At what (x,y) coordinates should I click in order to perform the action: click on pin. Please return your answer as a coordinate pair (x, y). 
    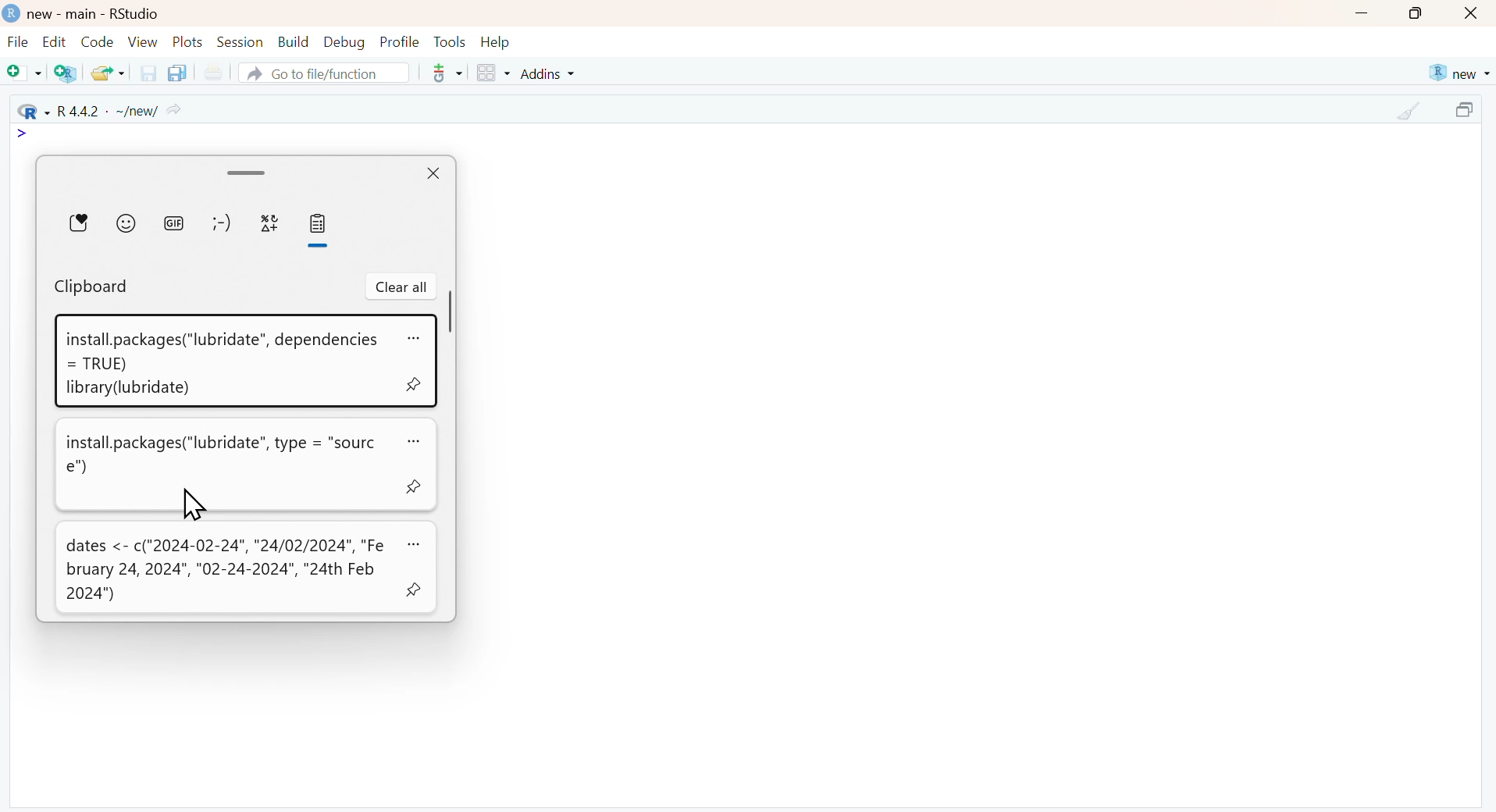
    Looking at the image, I should click on (412, 386).